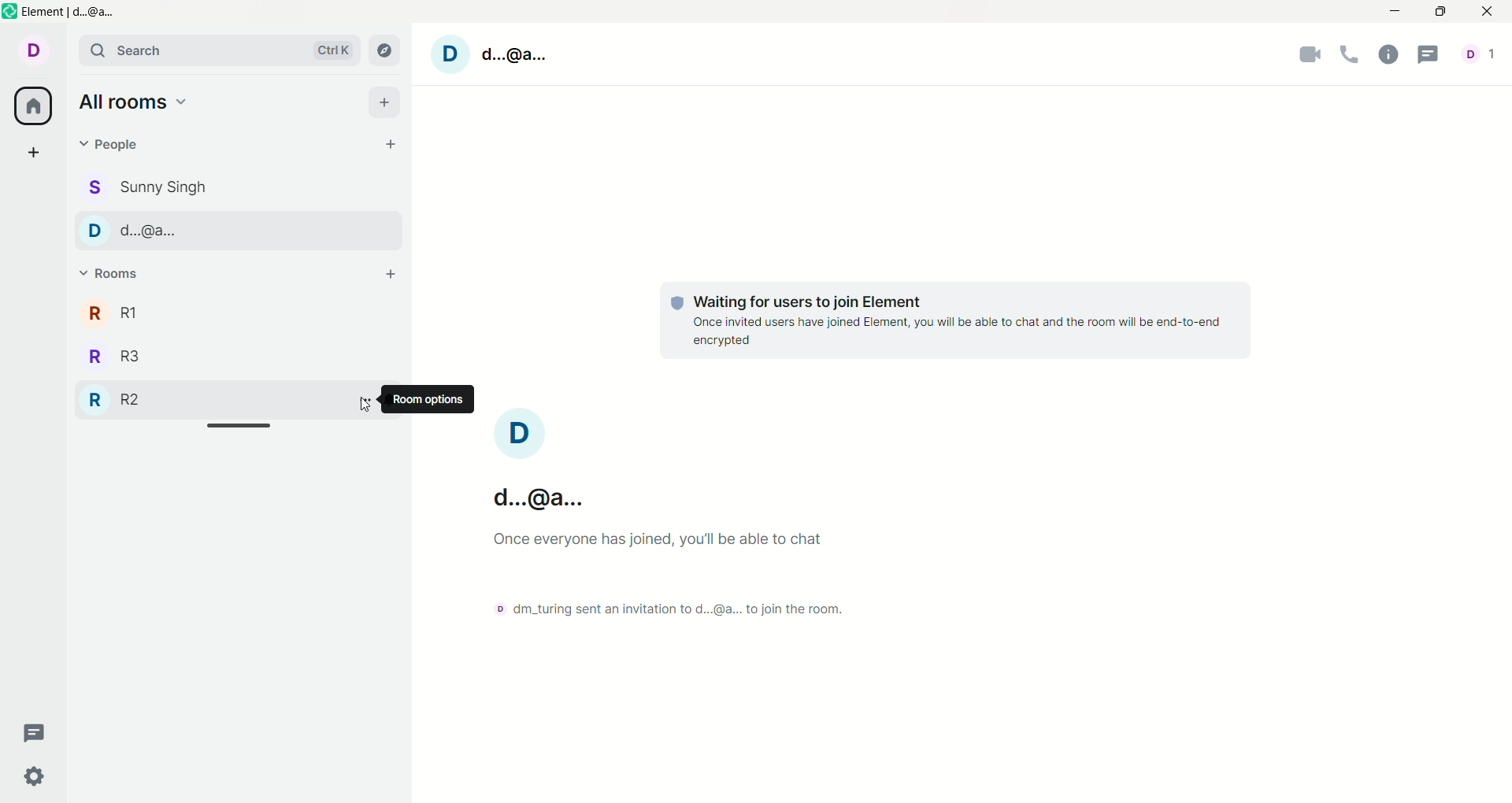 The image size is (1512, 803). I want to click on rooms, so click(109, 274).